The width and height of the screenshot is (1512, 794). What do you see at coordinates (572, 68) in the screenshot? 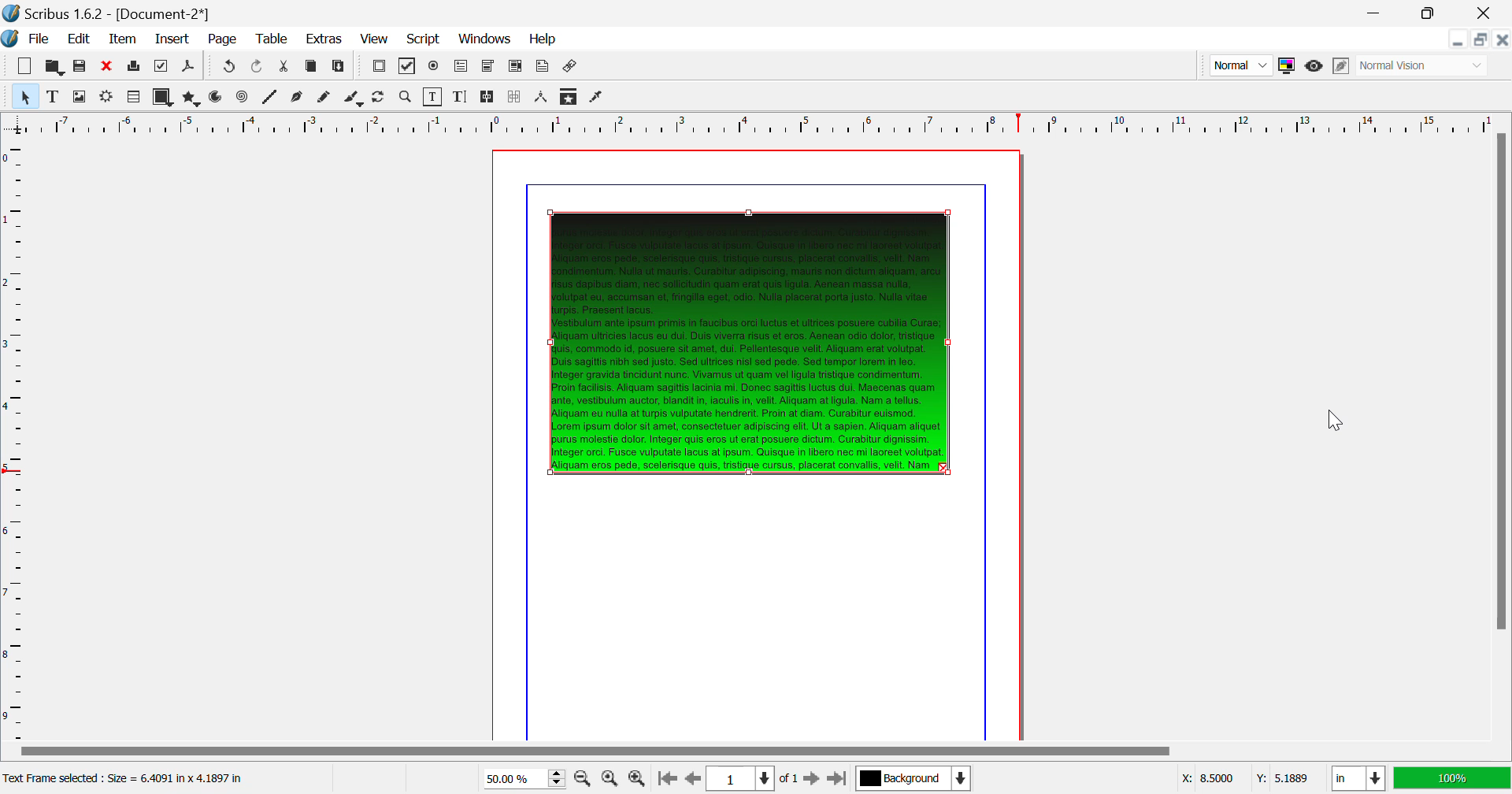
I see `Link Annotation` at bounding box center [572, 68].